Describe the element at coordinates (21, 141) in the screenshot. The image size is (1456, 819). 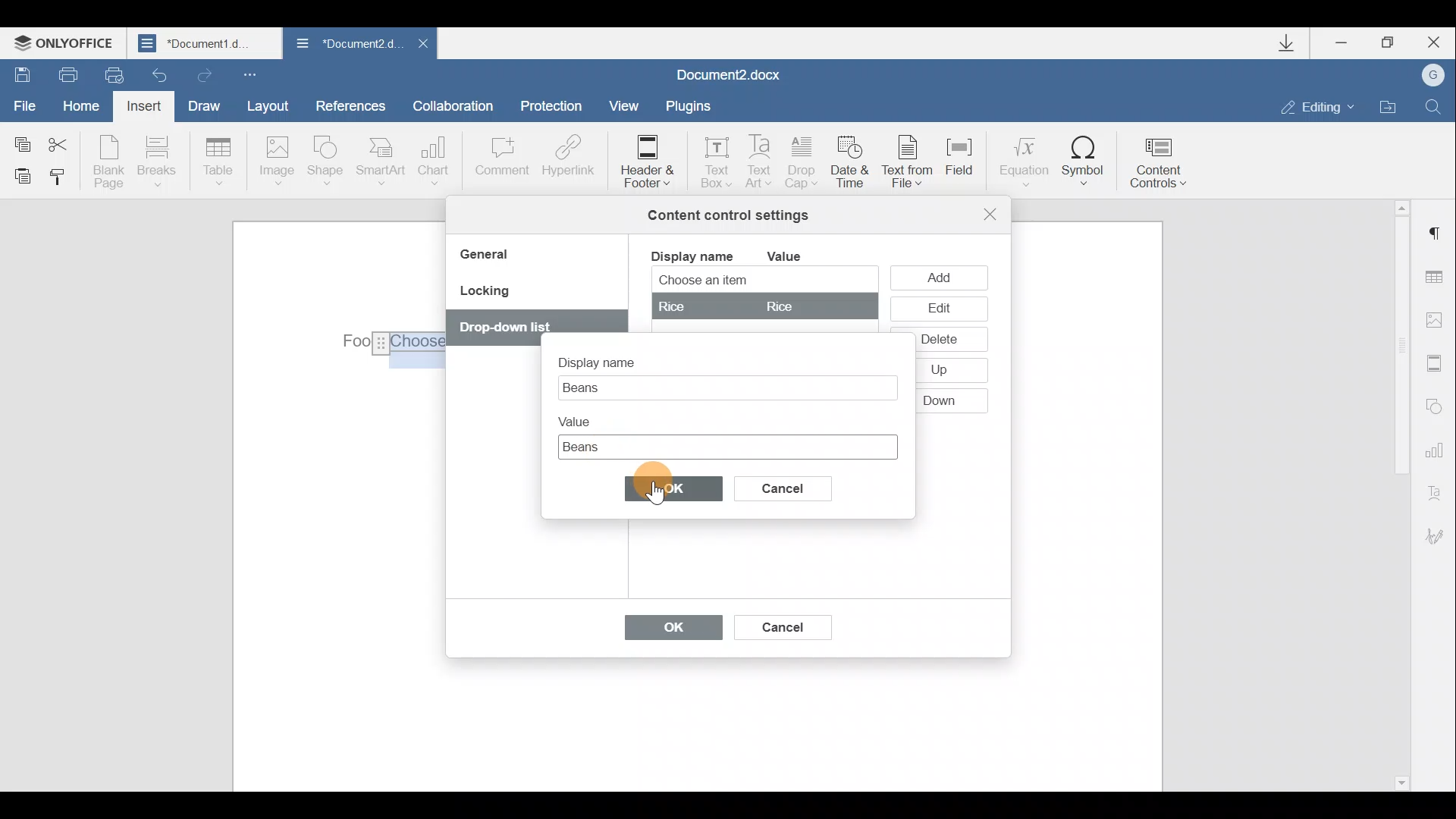
I see `Copy` at that location.